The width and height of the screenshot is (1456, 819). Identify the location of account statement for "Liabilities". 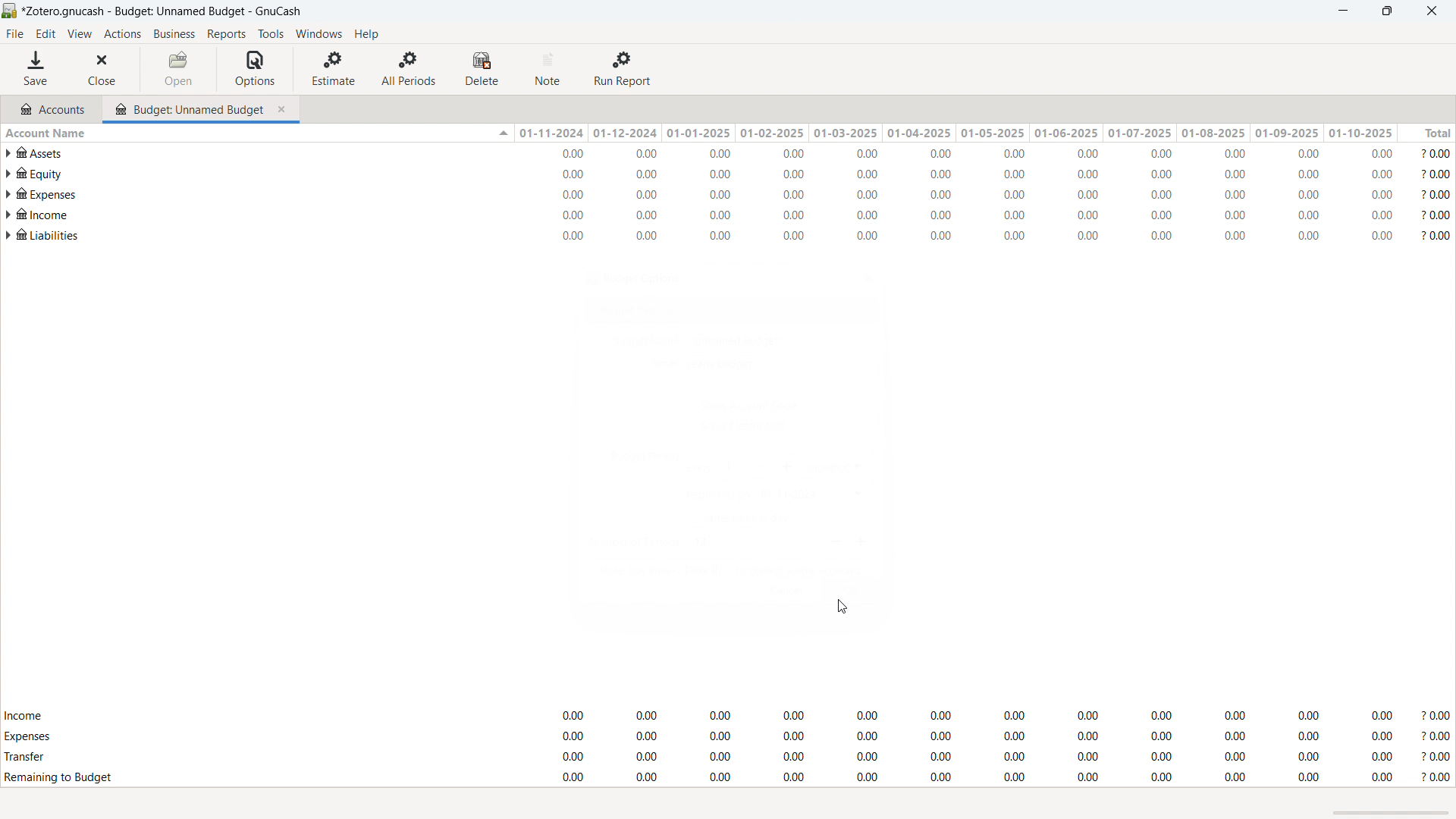
(736, 236).